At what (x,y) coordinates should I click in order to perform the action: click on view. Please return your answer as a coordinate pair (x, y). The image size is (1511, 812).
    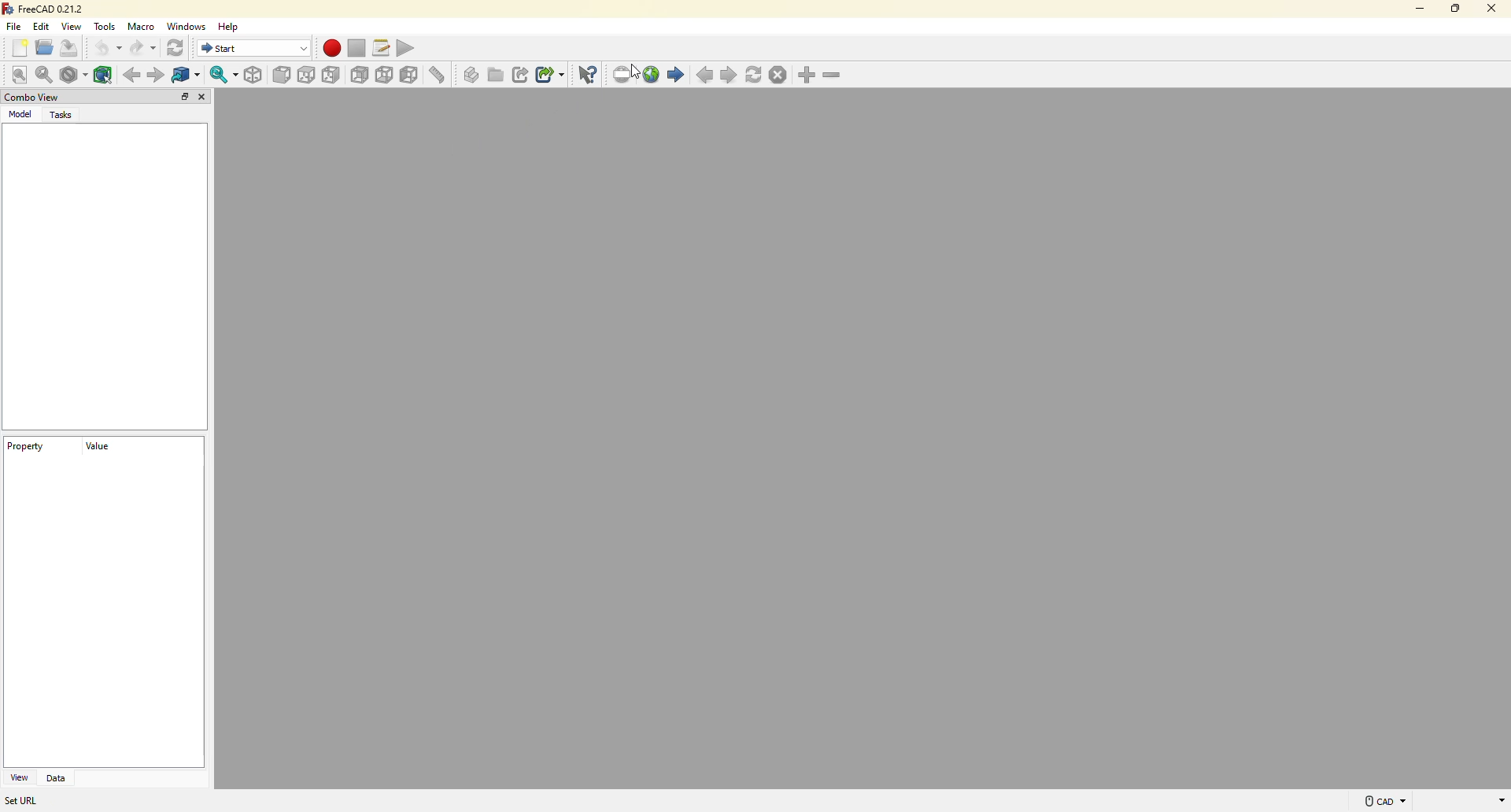
    Looking at the image, I should click on (18, 777).